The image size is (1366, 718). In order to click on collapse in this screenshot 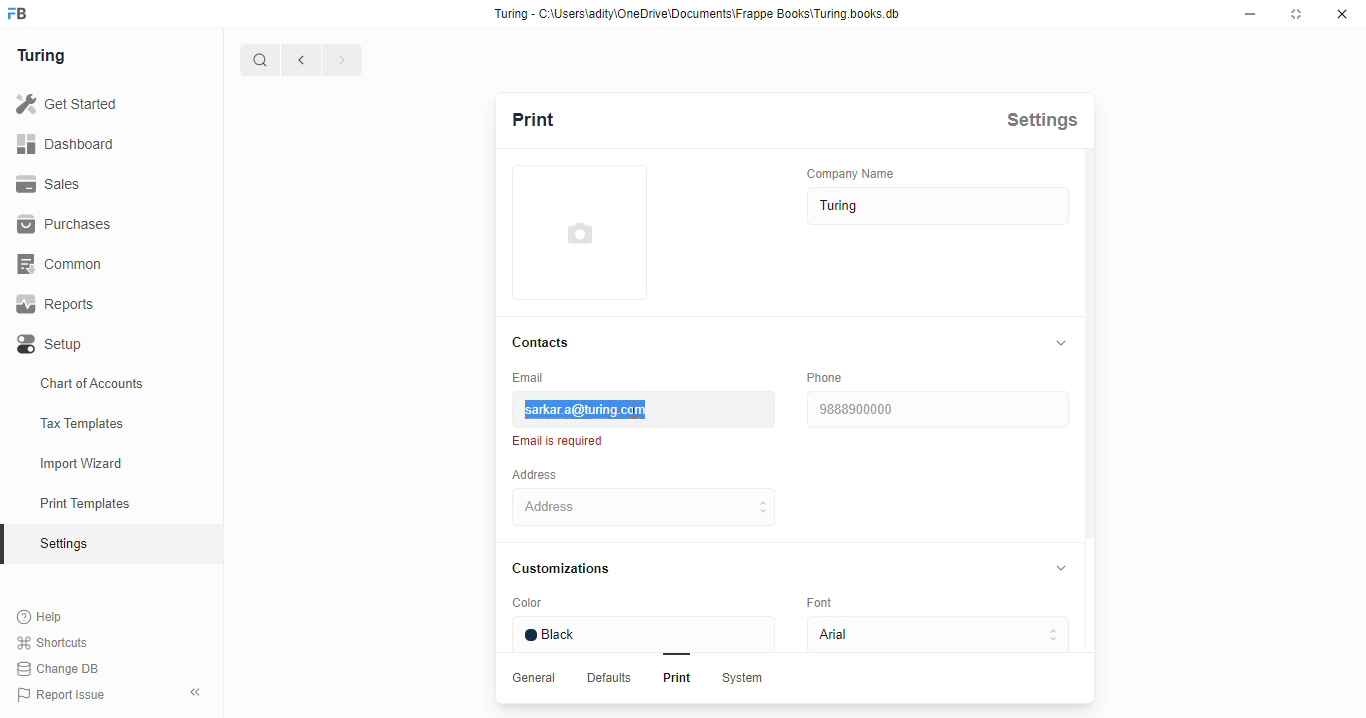, I will do `click(1066, 570)`.